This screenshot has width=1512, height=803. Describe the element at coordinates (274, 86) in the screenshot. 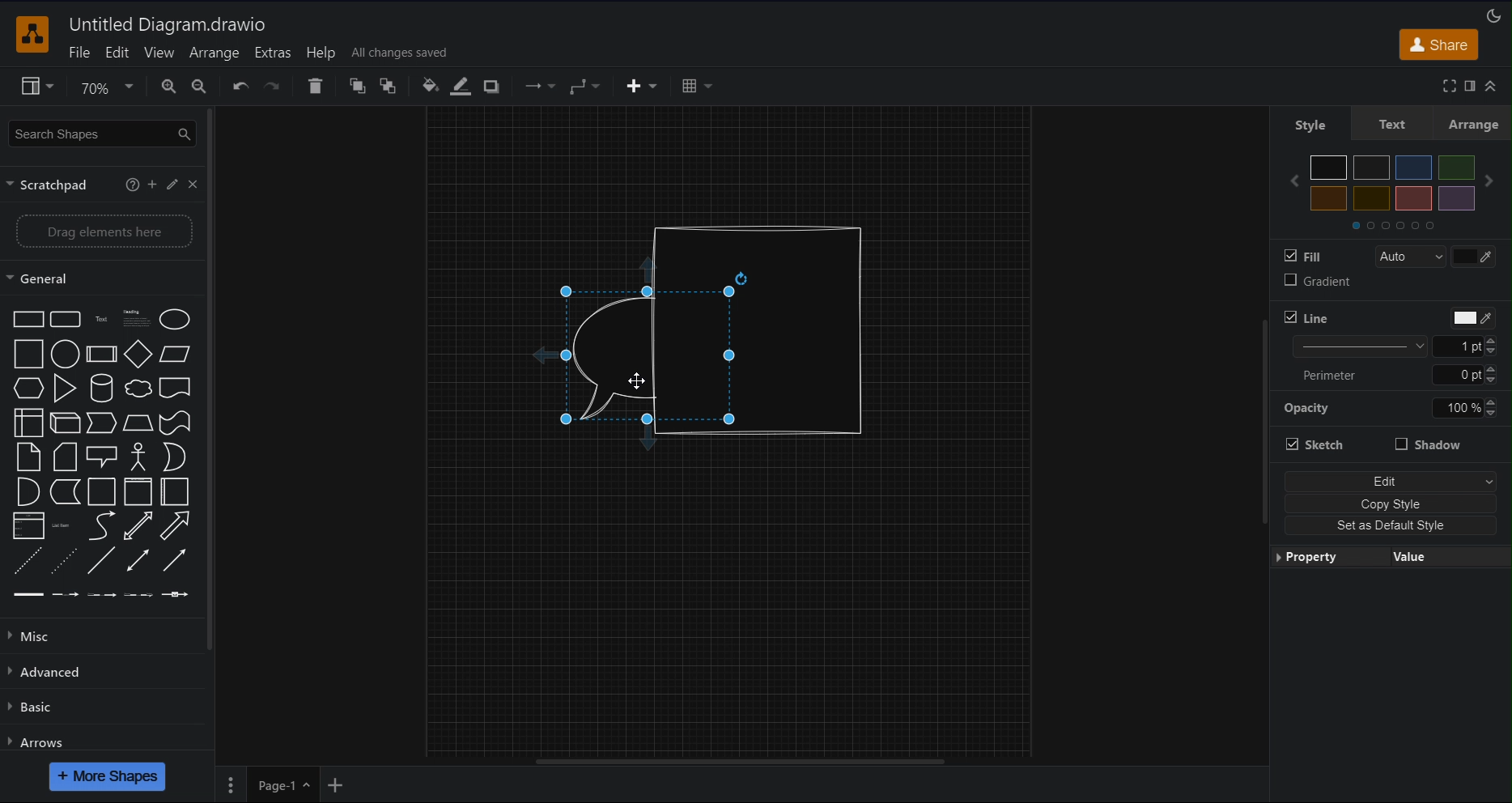

I see `Redo` at that location.